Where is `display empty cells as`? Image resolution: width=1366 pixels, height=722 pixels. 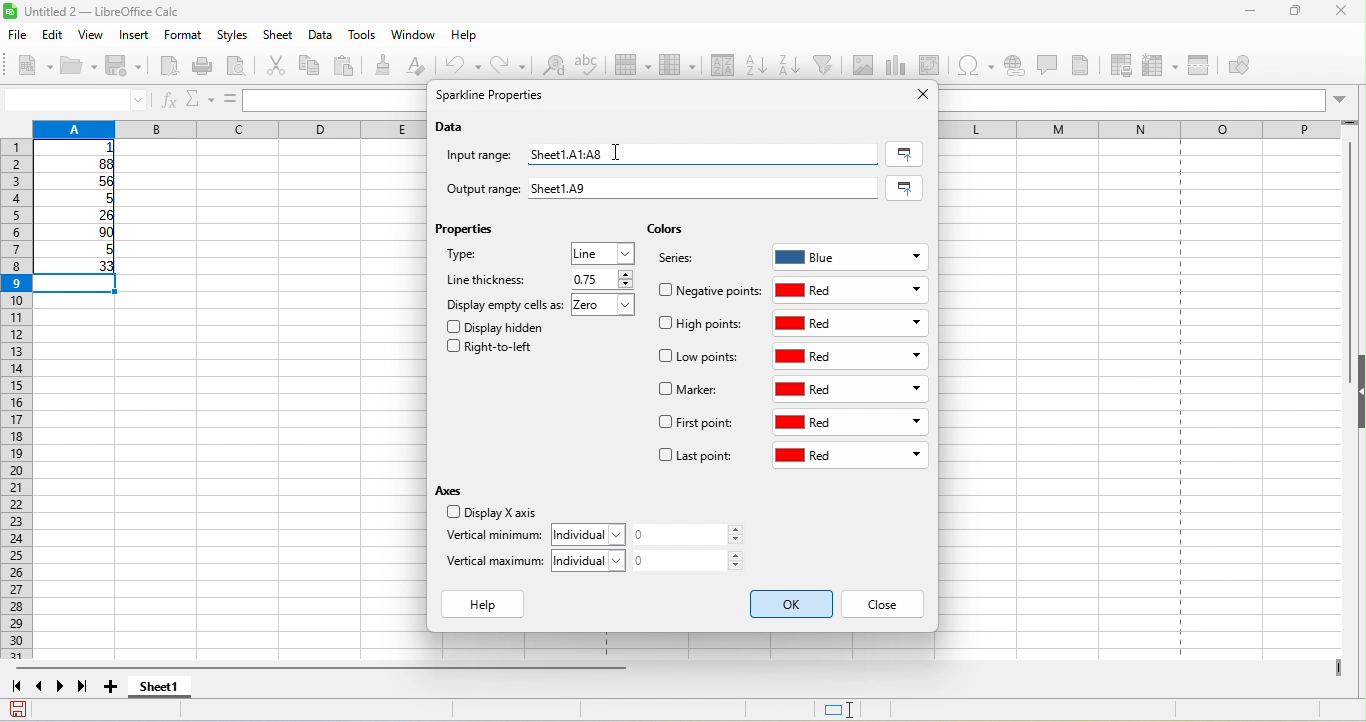
display empty cells as is located at coordinates (505, 304).